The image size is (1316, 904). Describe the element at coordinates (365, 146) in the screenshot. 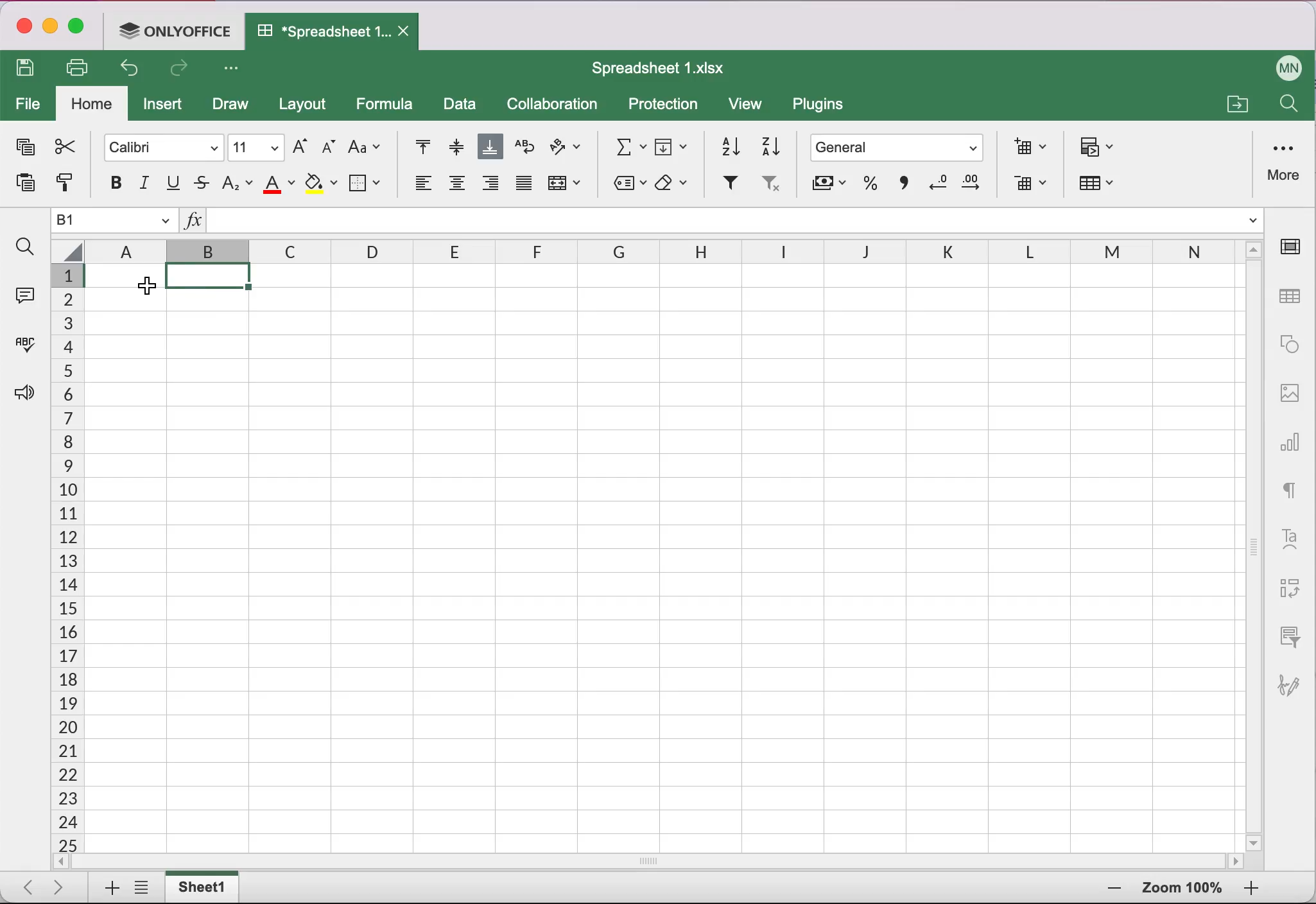

I see `change case` at that location.